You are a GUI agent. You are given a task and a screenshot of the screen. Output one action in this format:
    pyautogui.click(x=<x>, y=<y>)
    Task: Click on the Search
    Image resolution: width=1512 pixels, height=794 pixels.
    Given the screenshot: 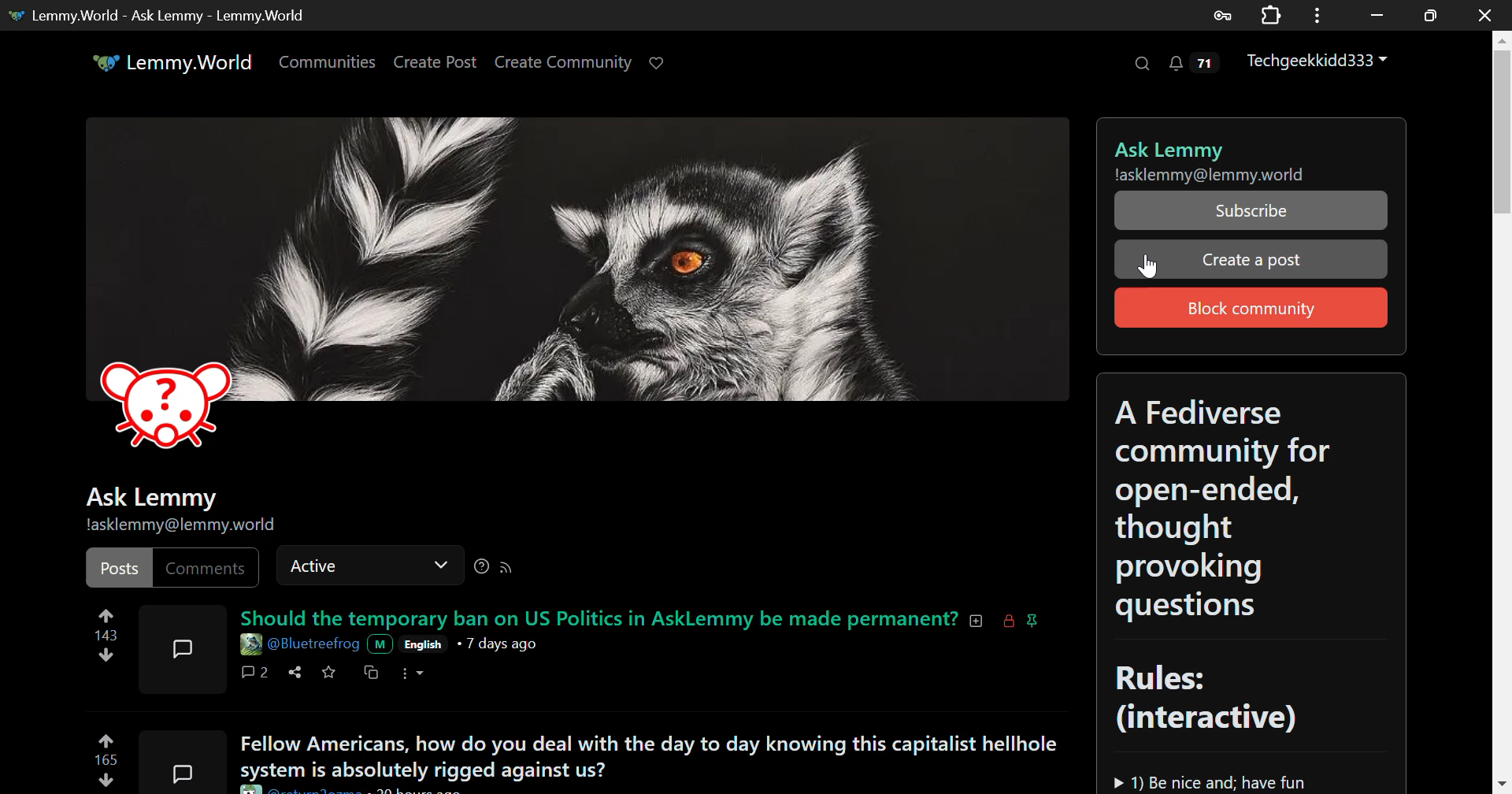 What is the action you would take?
    pyautogui.click(x=1140, y=62)
    